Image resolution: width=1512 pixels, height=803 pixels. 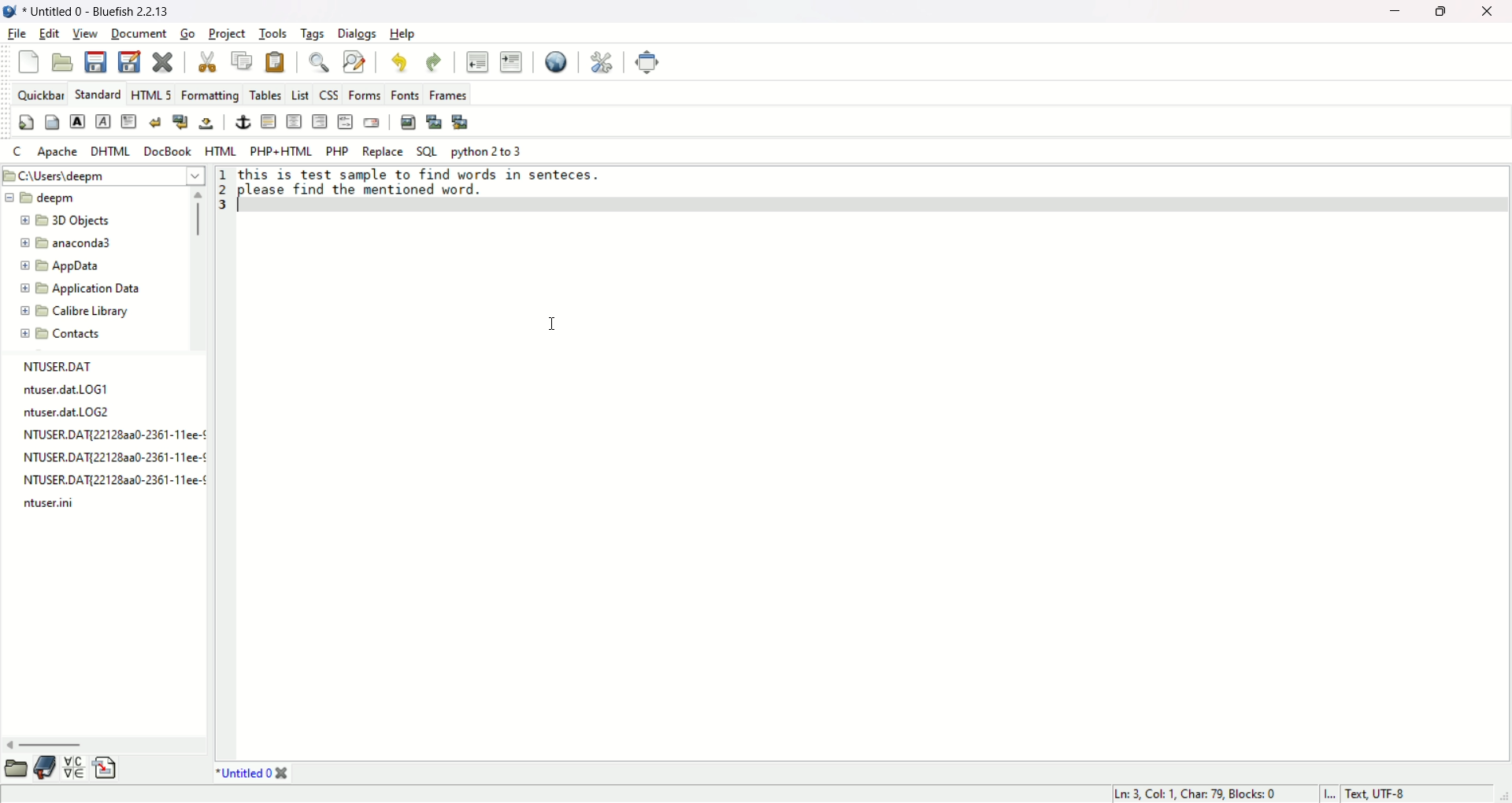 I want to click on scroll bar, so click(x=197, y=219).